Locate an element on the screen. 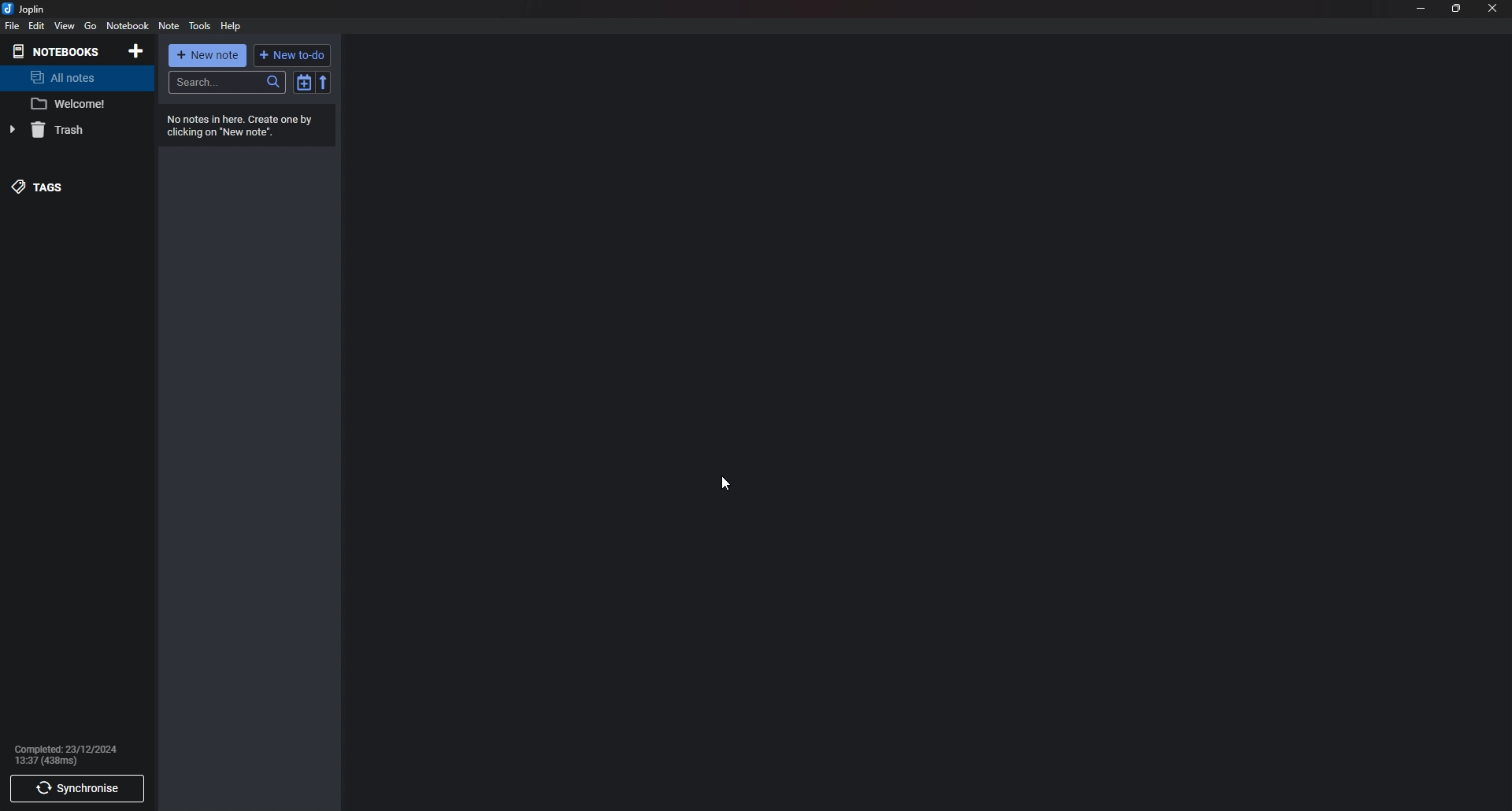 The image size is (1512, 811). cursor is located at coordinates (725, 483).